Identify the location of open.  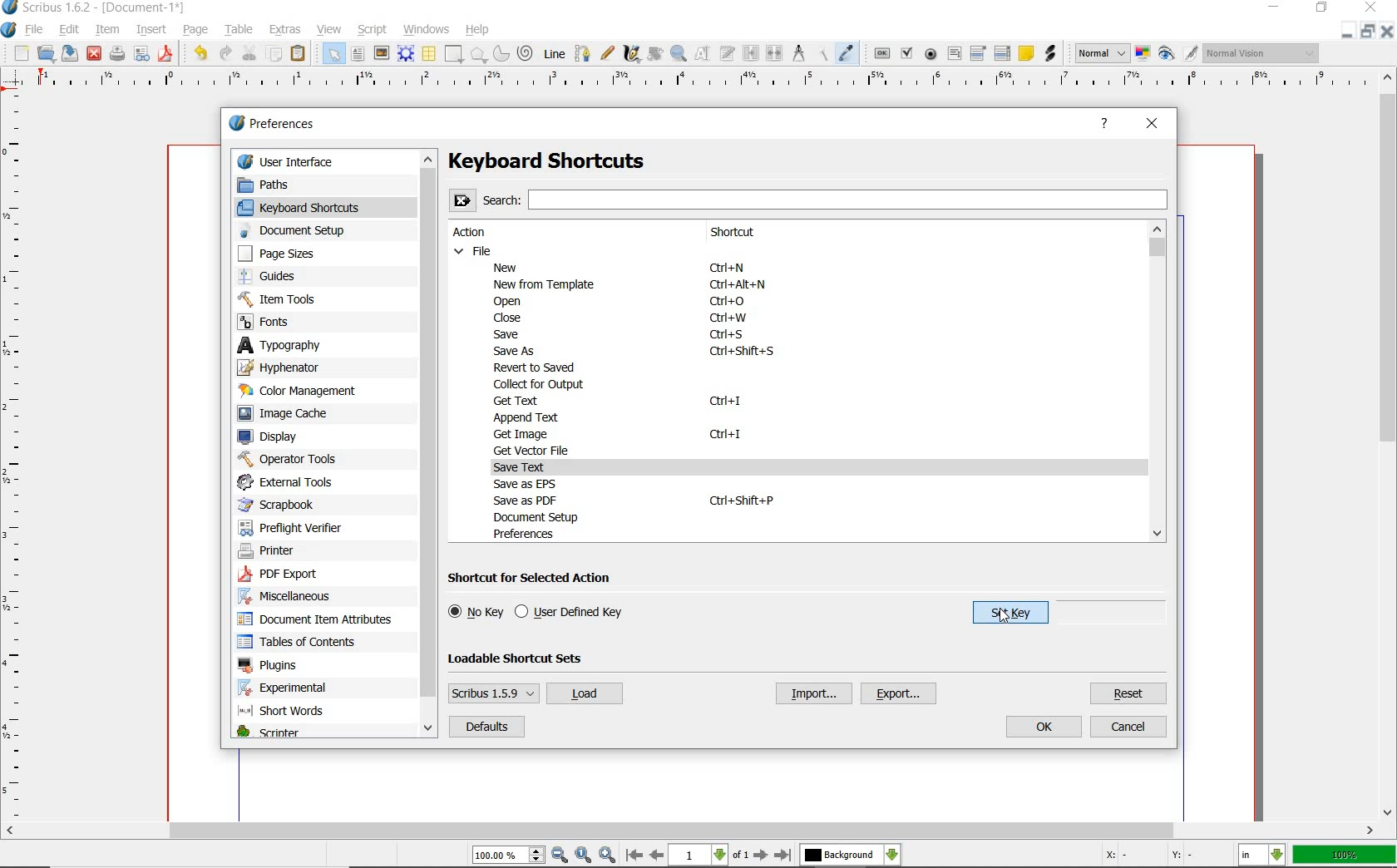
(513, 302).